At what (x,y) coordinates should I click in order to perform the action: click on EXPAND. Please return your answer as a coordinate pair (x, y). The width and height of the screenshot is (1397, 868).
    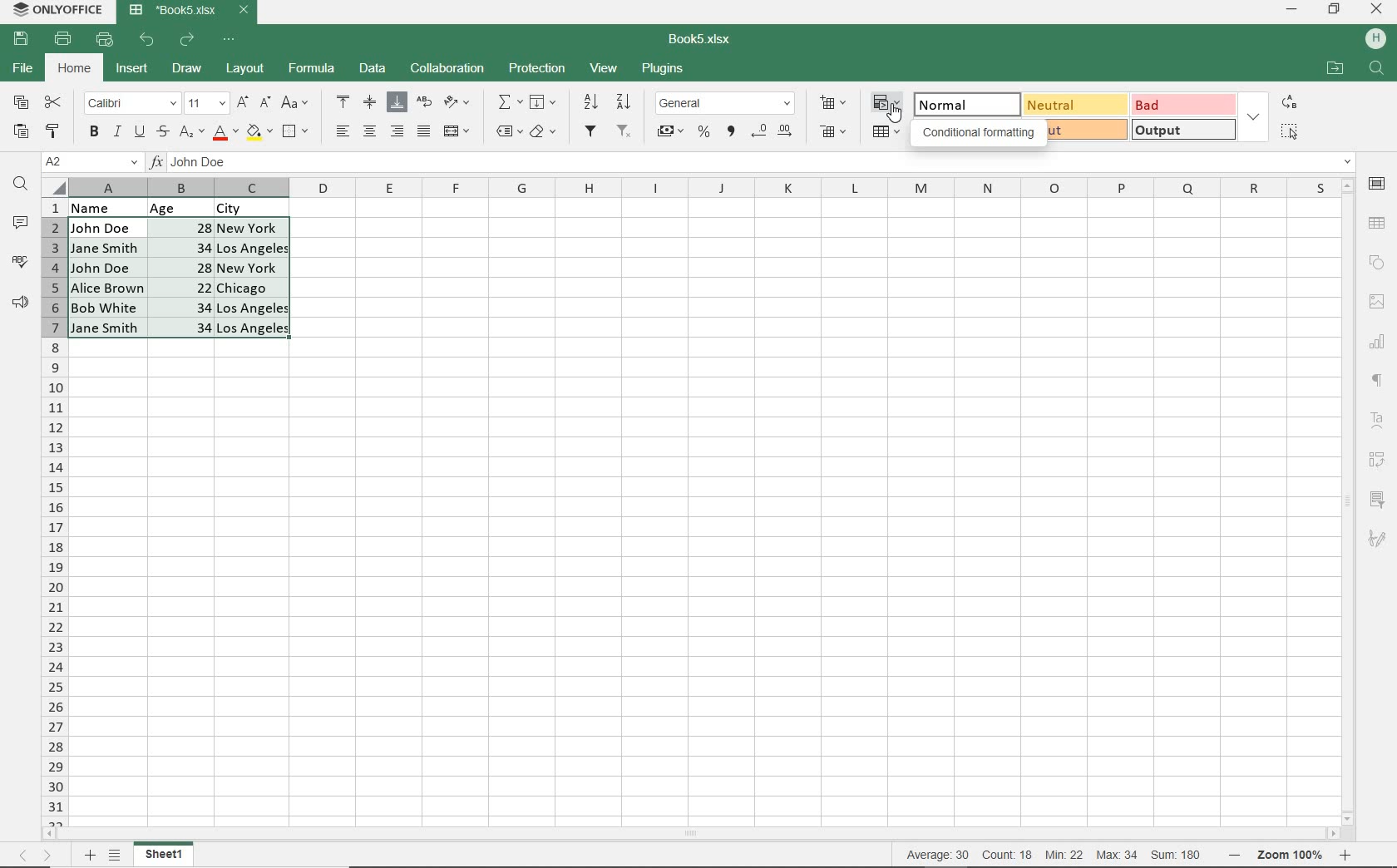
    Looking at the image, I should click on (1253, 116).